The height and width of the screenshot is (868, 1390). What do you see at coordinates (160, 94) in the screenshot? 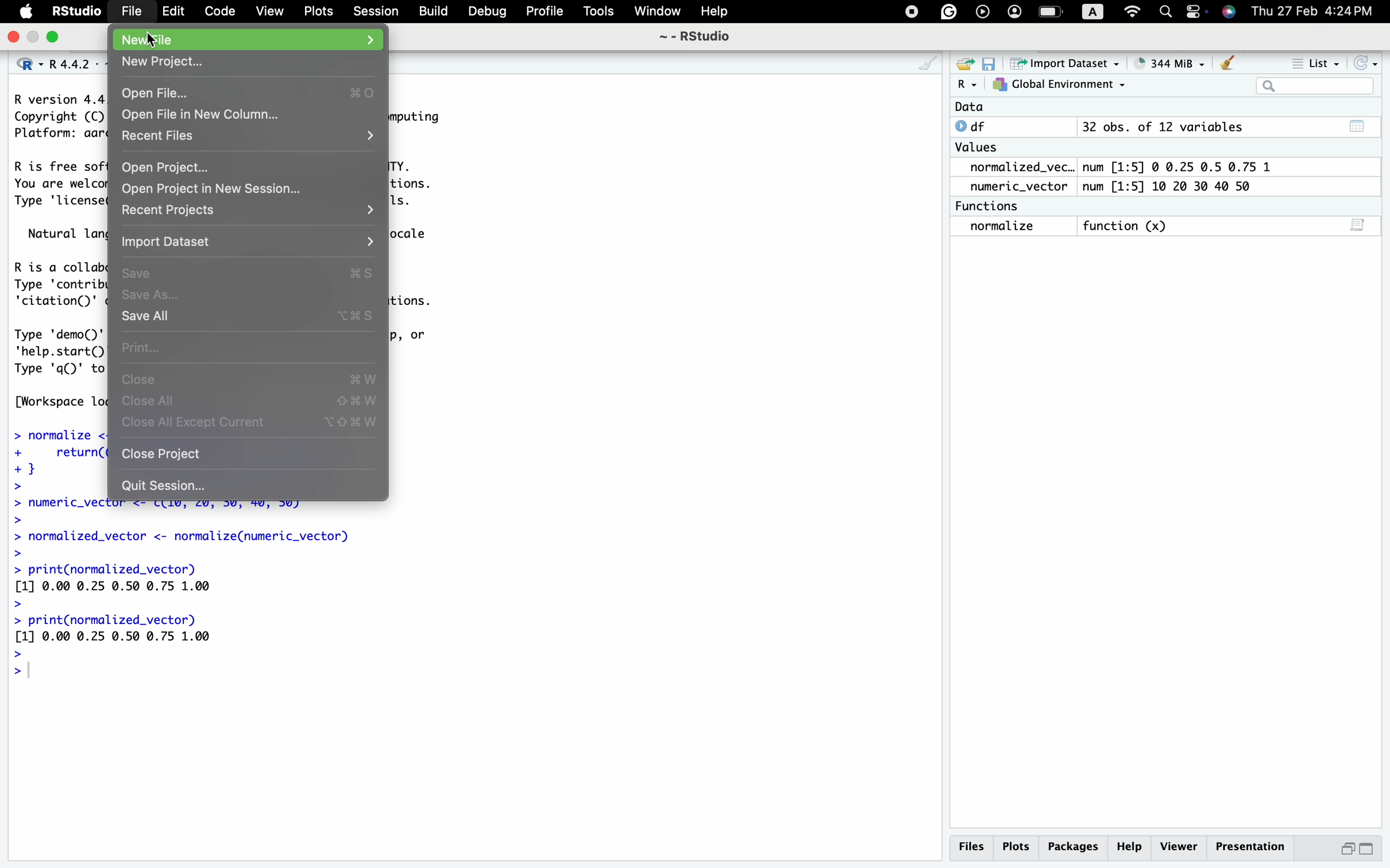
I see `Open File...` at bounding box center [160, 94].